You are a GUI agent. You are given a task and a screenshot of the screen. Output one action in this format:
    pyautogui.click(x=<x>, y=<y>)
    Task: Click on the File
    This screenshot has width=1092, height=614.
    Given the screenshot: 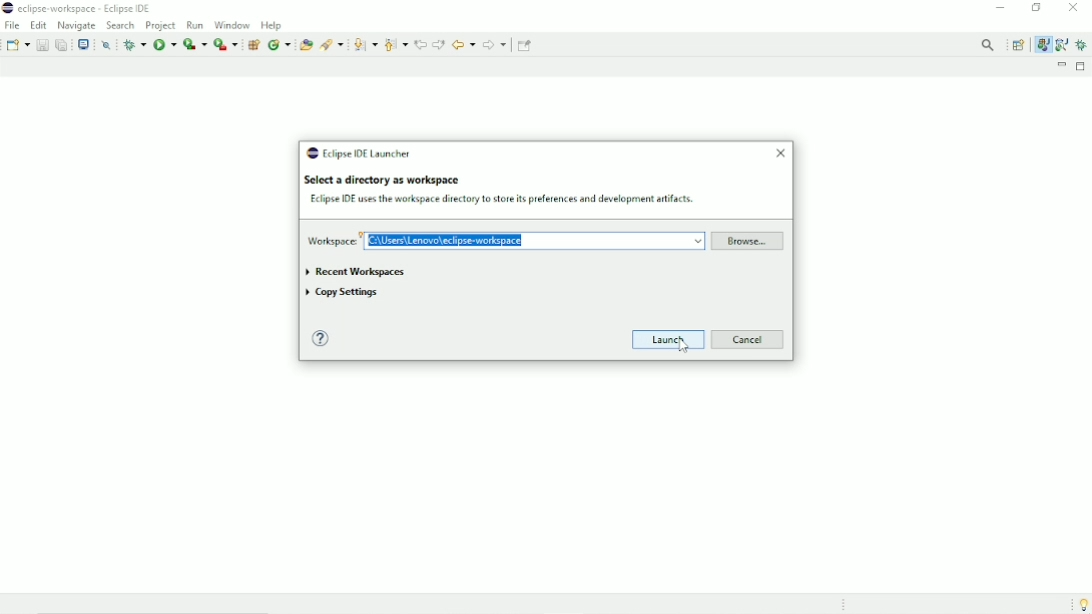 What is the action you would take?
    pyautogui.click(x=12, y=25)
    